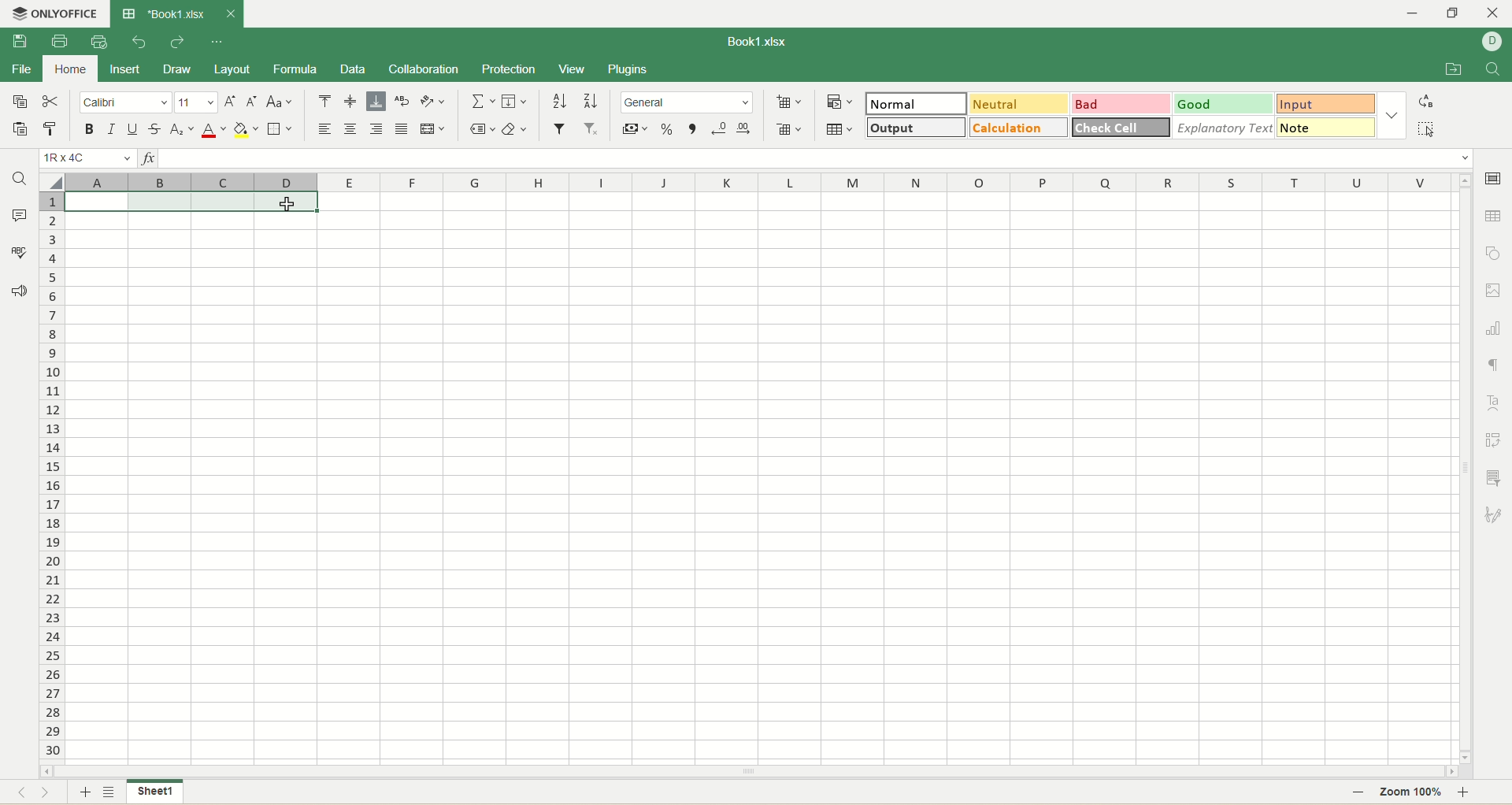  What do you see at coordinates (916, 127) in the screenshot?
I see `output` at bounding box center [916, 127].